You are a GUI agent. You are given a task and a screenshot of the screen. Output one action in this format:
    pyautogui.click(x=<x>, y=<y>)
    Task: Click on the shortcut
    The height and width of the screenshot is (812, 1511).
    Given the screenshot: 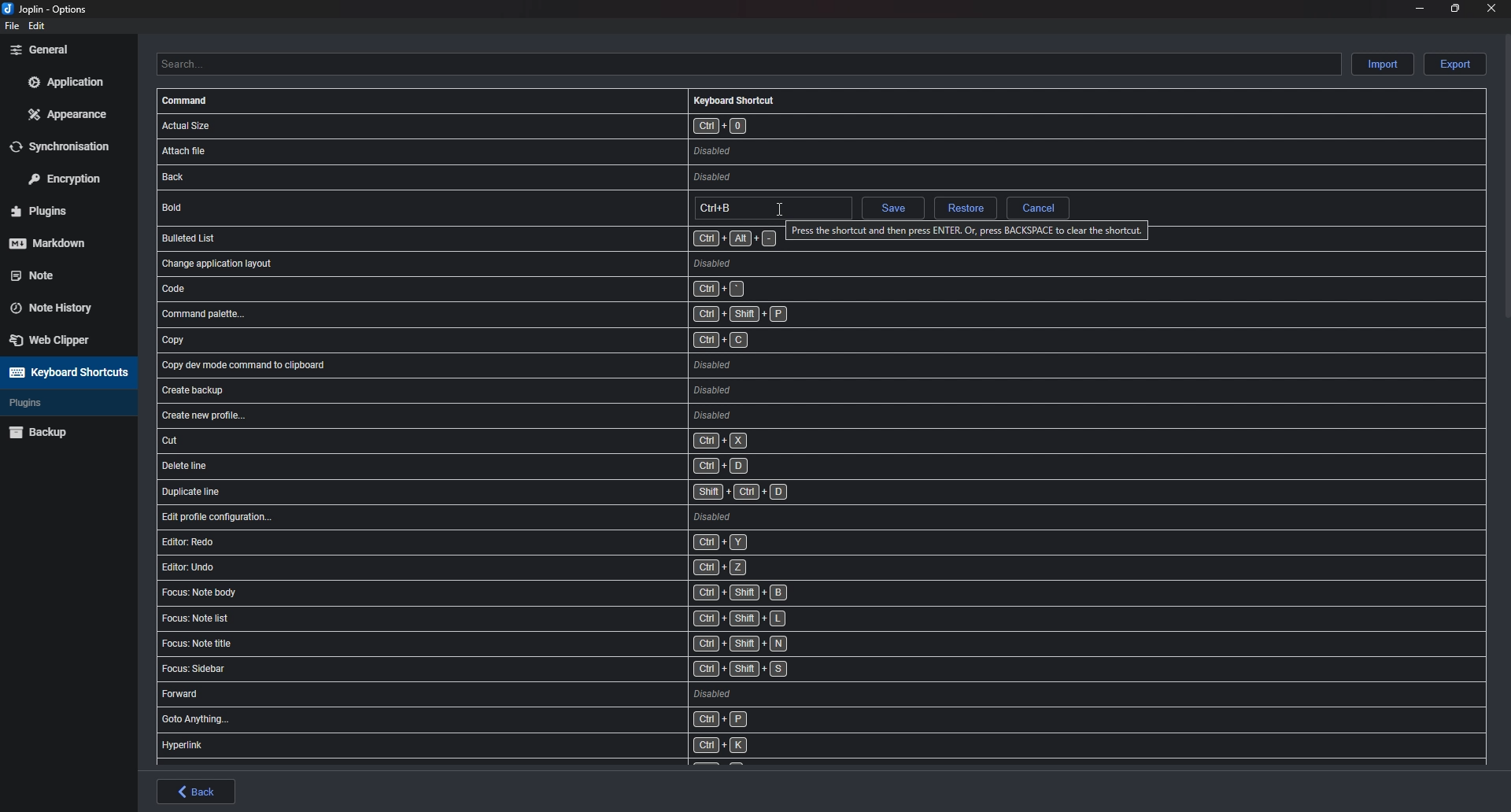 What is the action you would take?
    pyautogui.click(x=538, y=491)
    